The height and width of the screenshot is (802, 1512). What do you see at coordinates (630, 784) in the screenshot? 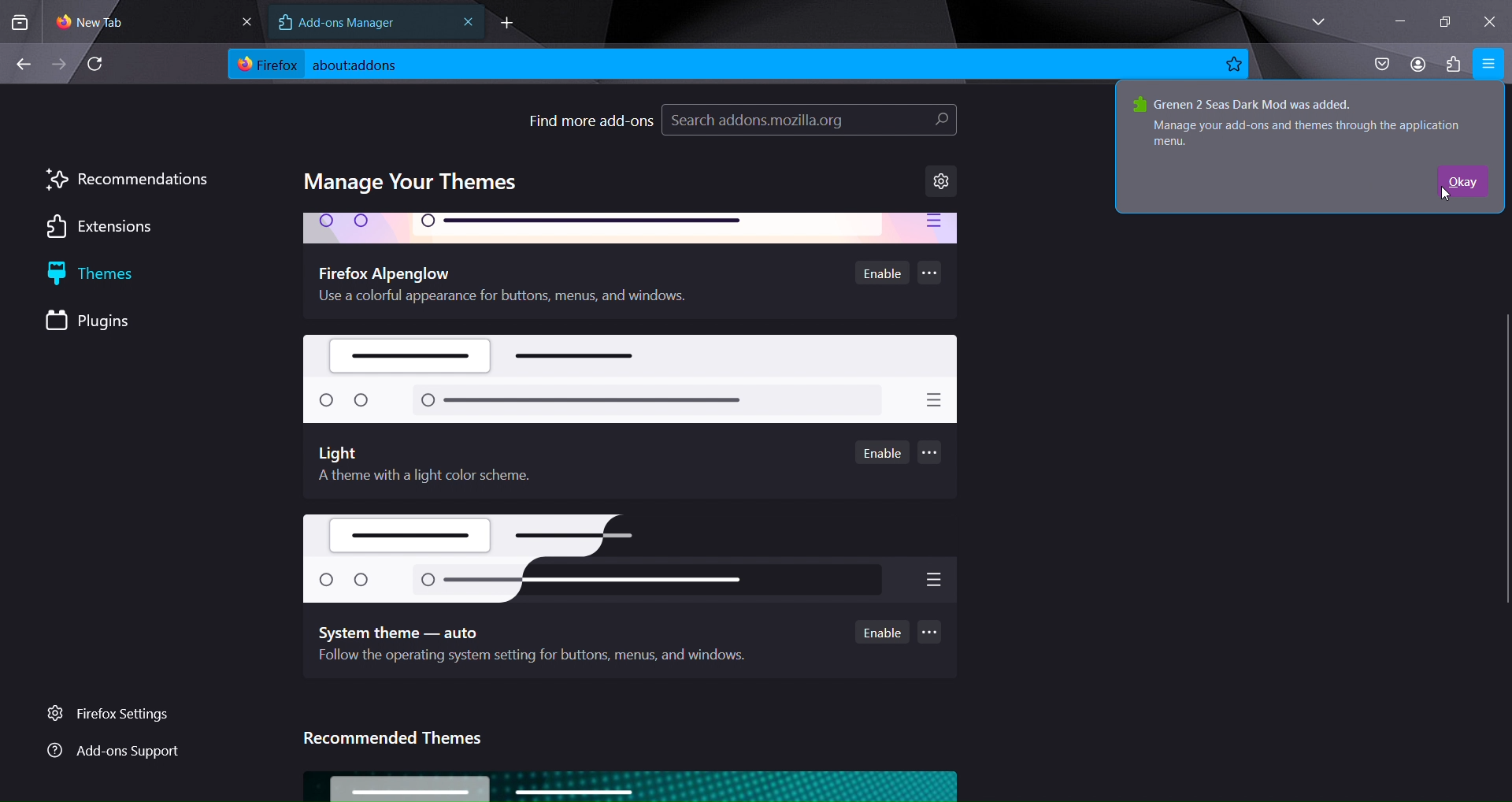
I see `image` at bounding box center [630, 784].